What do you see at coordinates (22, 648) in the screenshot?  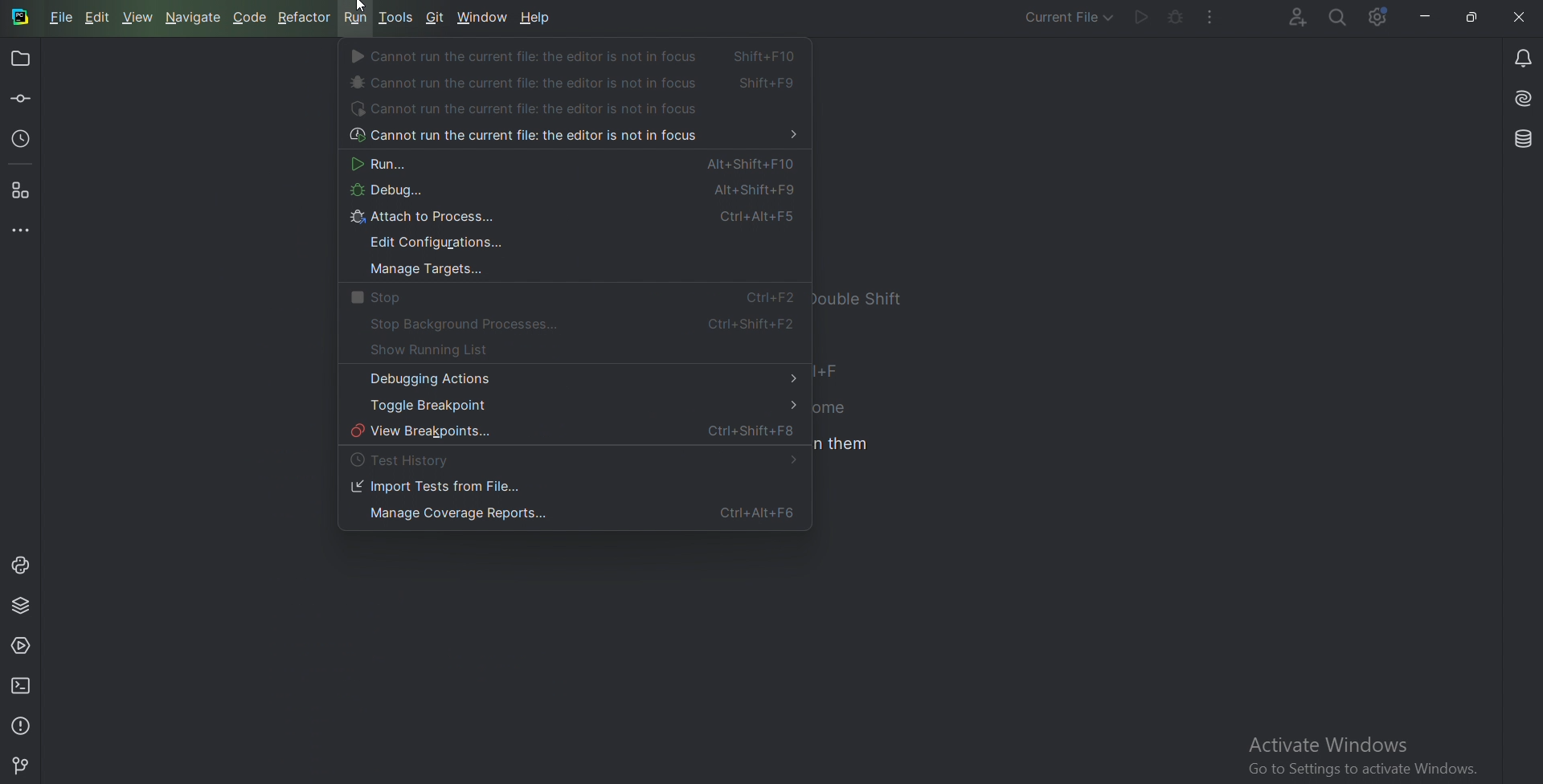 I see `Services` at bounding box center [22, 648].